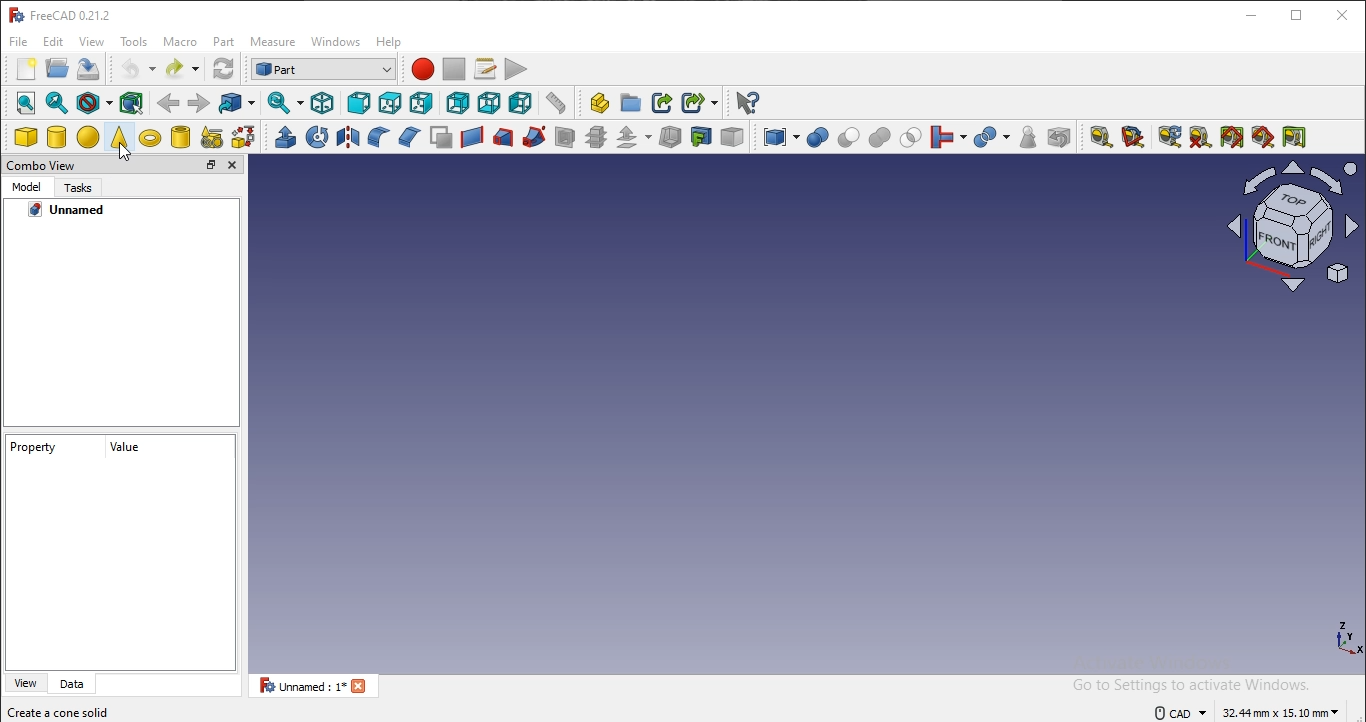 The image size is (1366, 722). Describe the element at coordinates (1346, 645) in the screenshot. I see `coordinate axis icon` at that location.